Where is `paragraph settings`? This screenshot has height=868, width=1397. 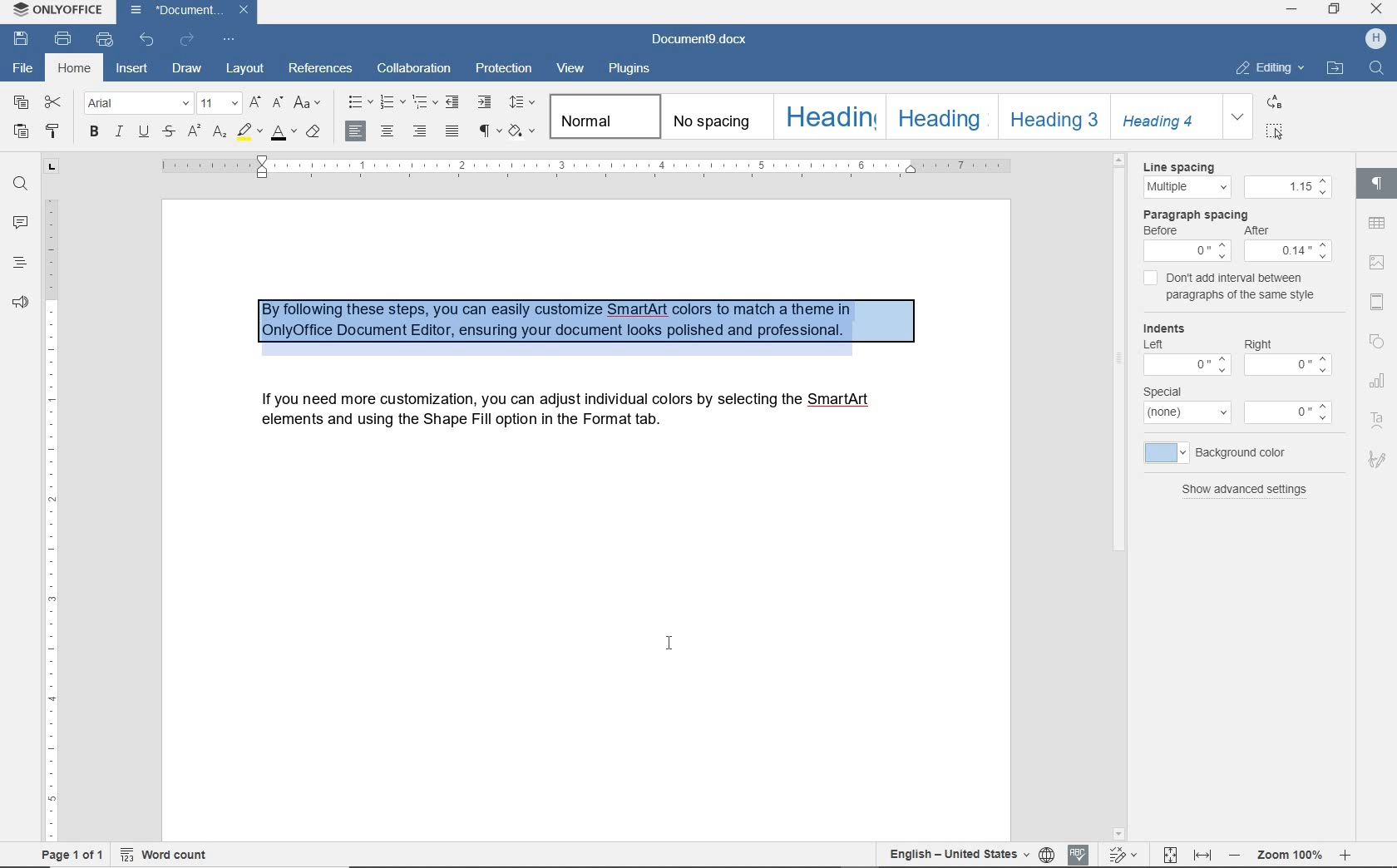 paragraph settings is located at coordinates (1376, 187).